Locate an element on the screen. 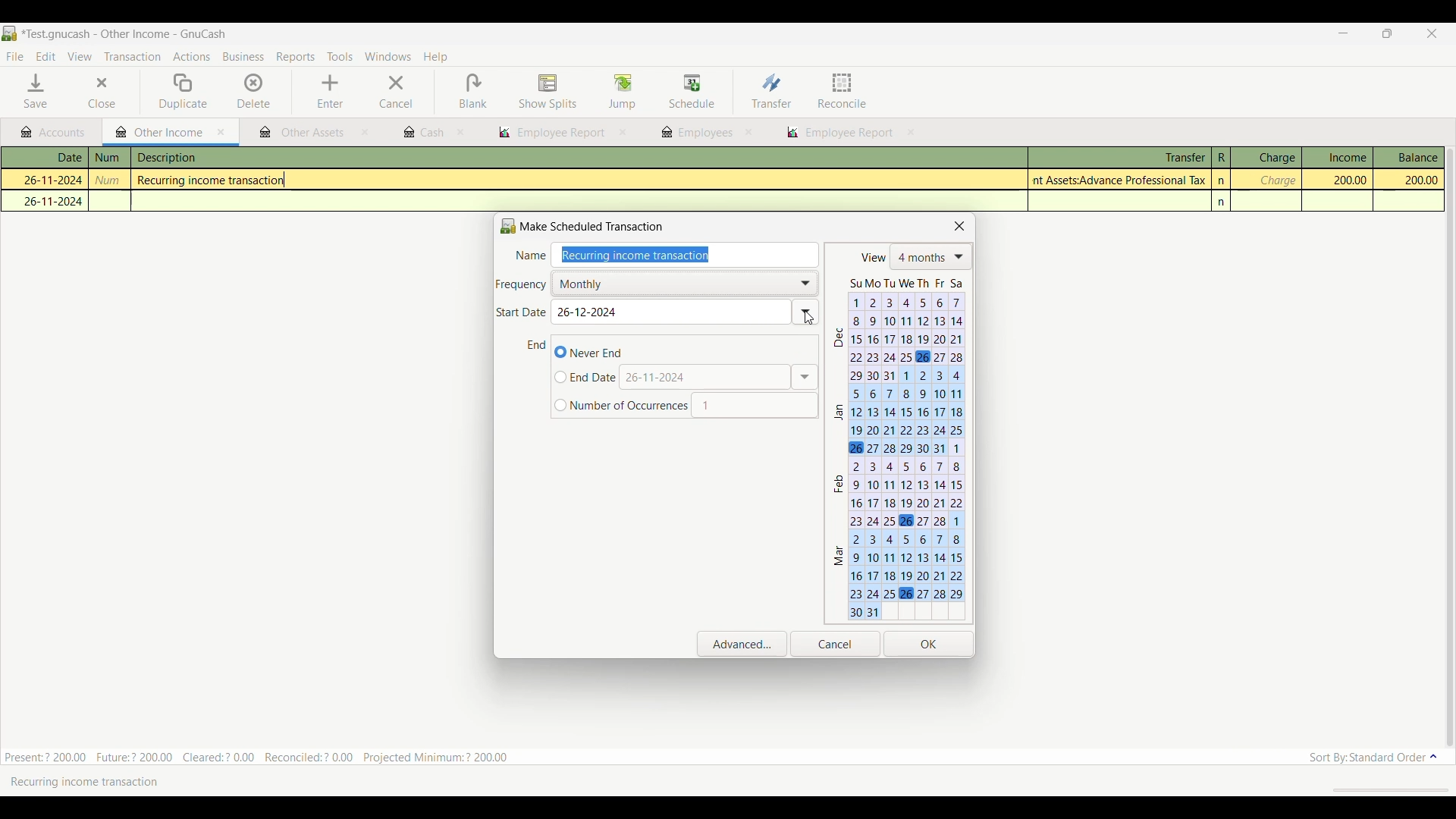  Indicates frequency of transaction is located at coordinates (522, 285).